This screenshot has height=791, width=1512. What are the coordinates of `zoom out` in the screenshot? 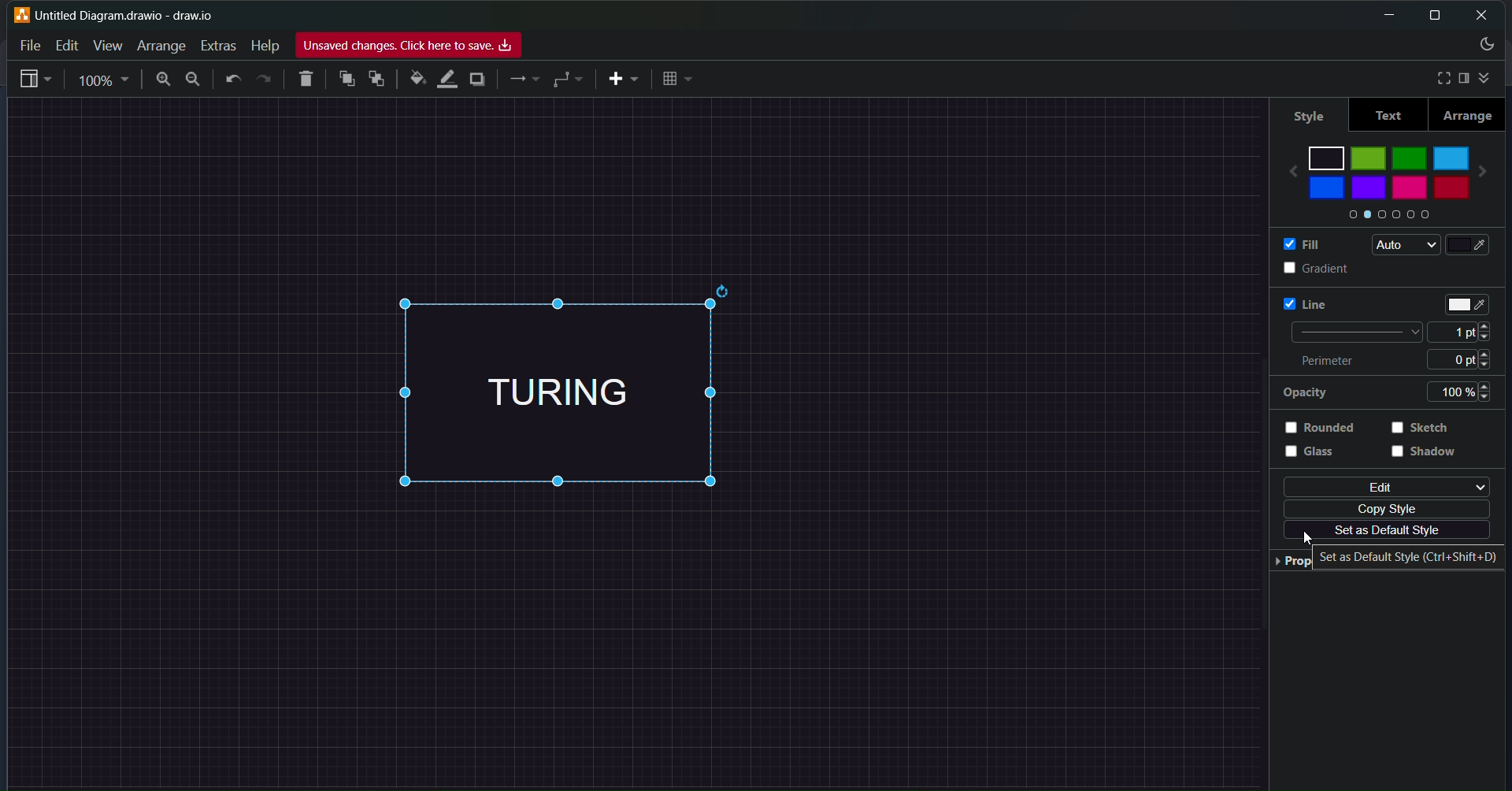 It's located at (195, 79).